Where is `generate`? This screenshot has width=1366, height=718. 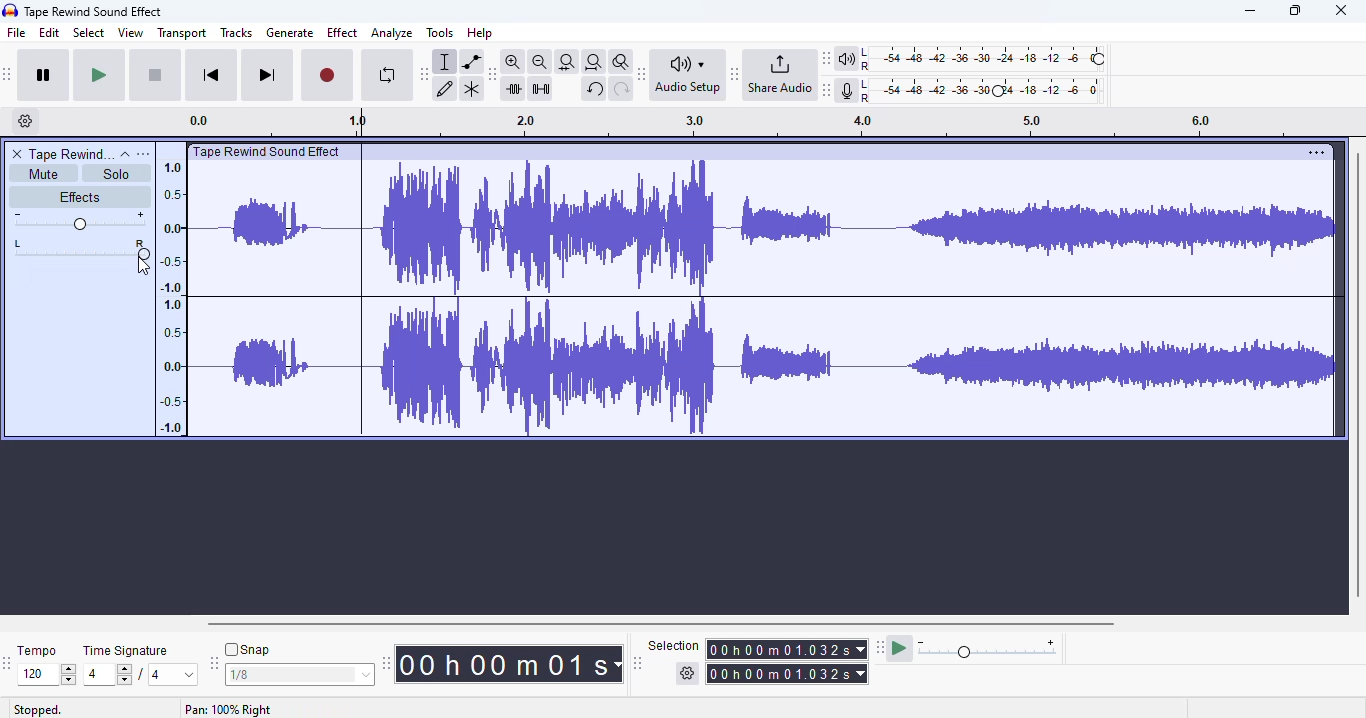 generate is located at coordinates (290, 33).